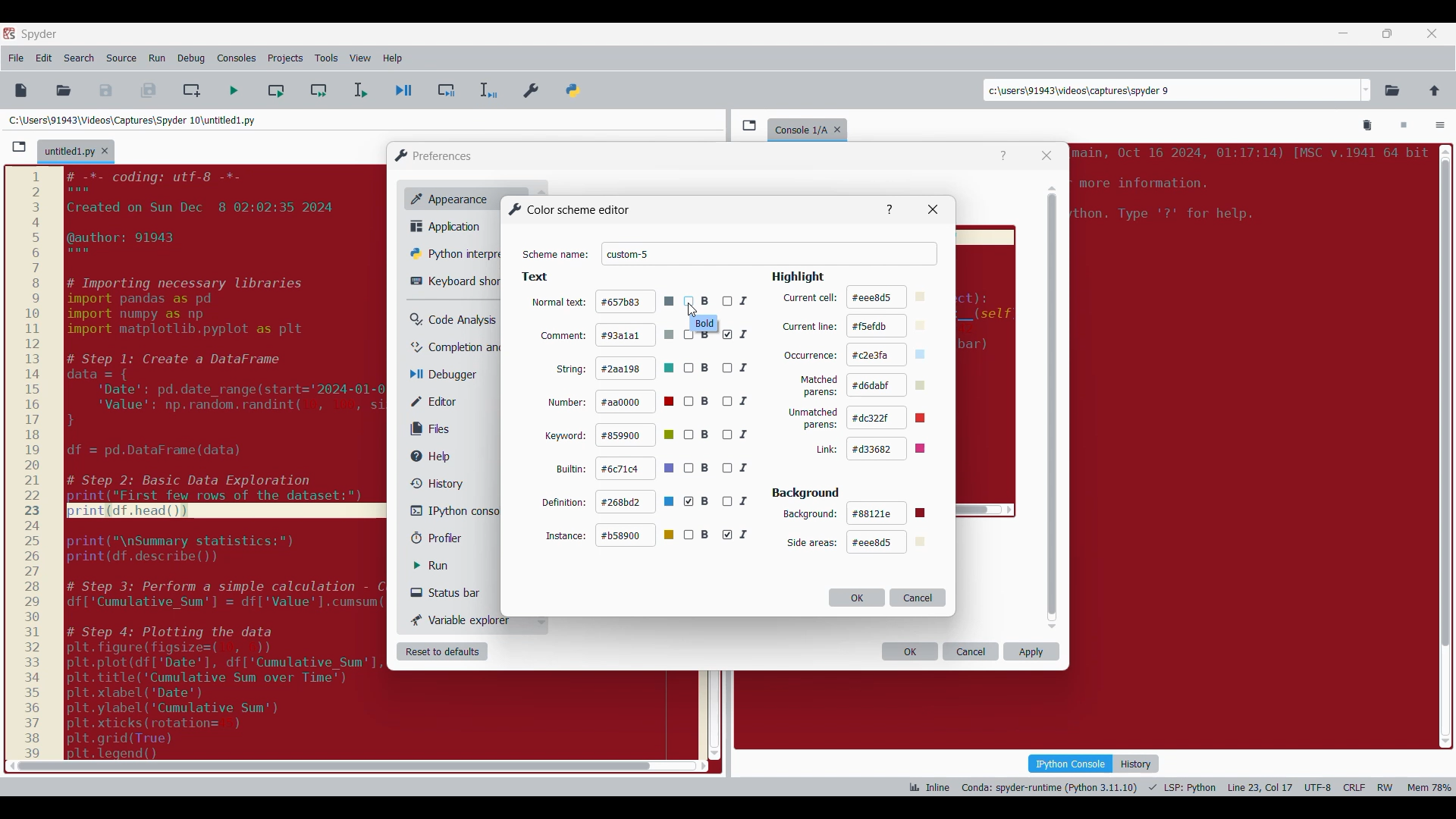  What do you see at coordinates (44, 58) in the screenshot?
I see `Edit menu` at bounding box center [44, 58].